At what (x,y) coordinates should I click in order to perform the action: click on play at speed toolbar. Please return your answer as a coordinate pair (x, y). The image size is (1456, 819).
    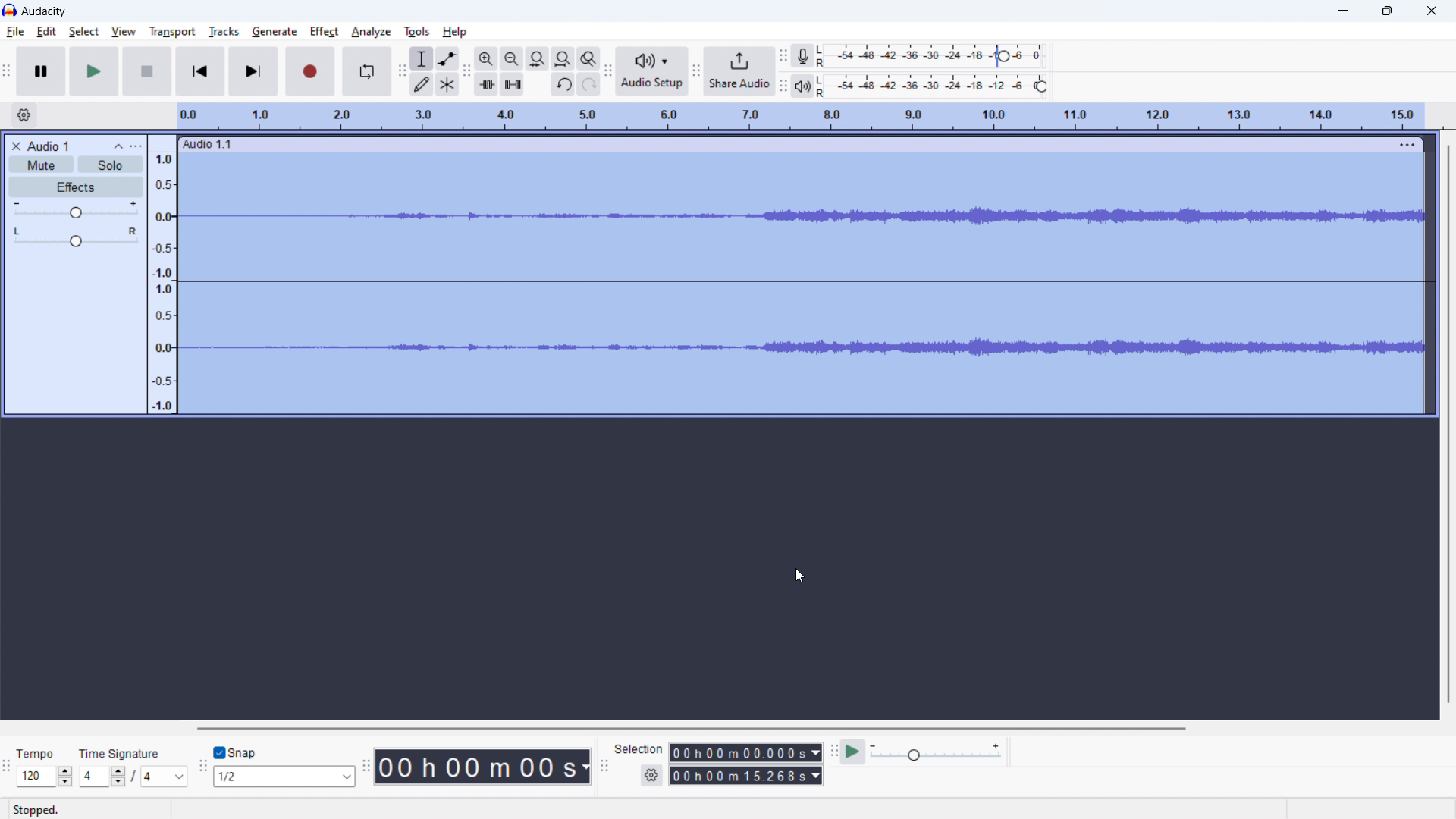
    Looking at the image, I should click on (833, 751).